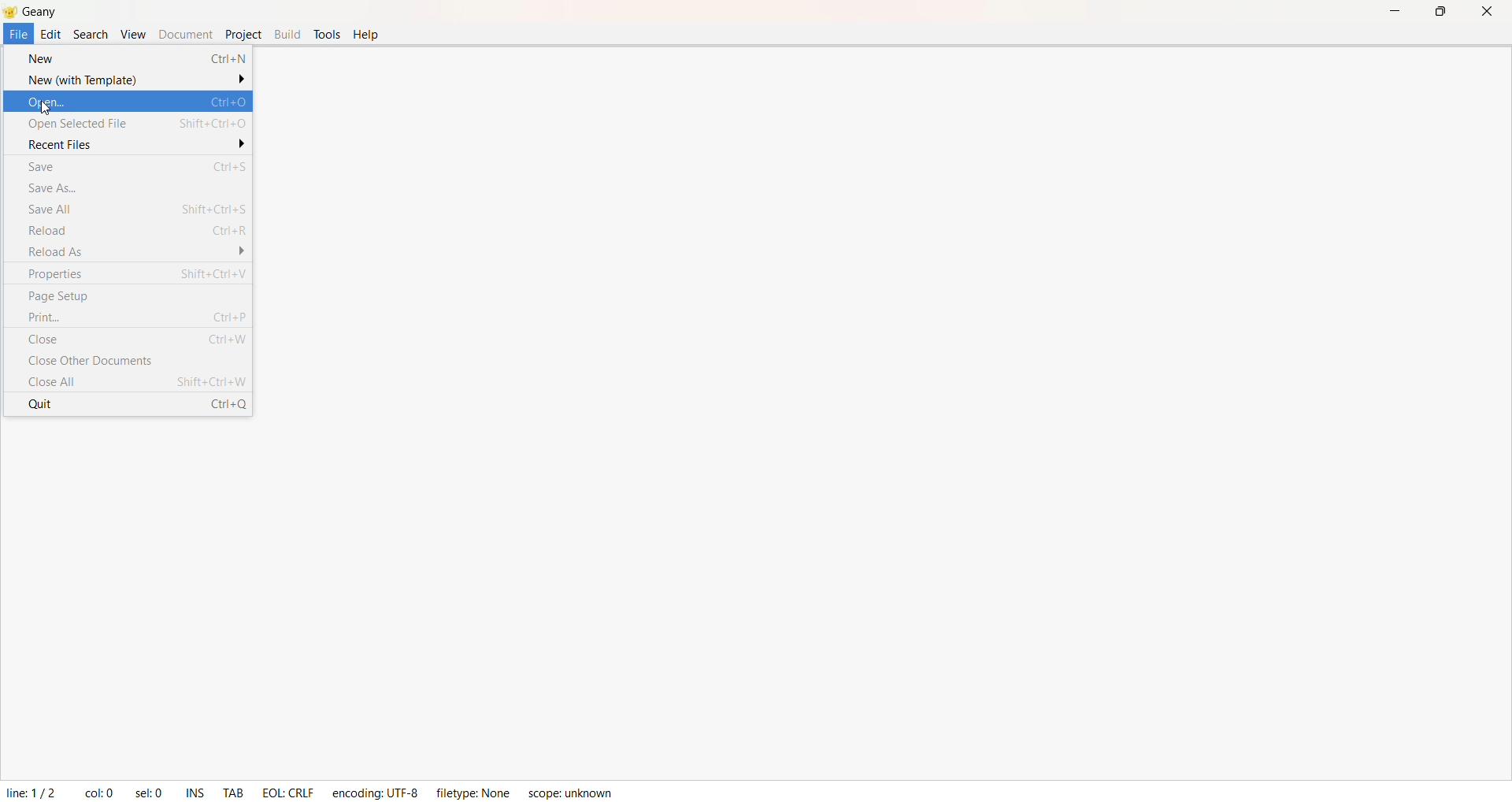 The image size is (1512, 802). What do you see at coordinates (138, 102) in the screenshot?
I see `Open` at bounding box center [138, 102].